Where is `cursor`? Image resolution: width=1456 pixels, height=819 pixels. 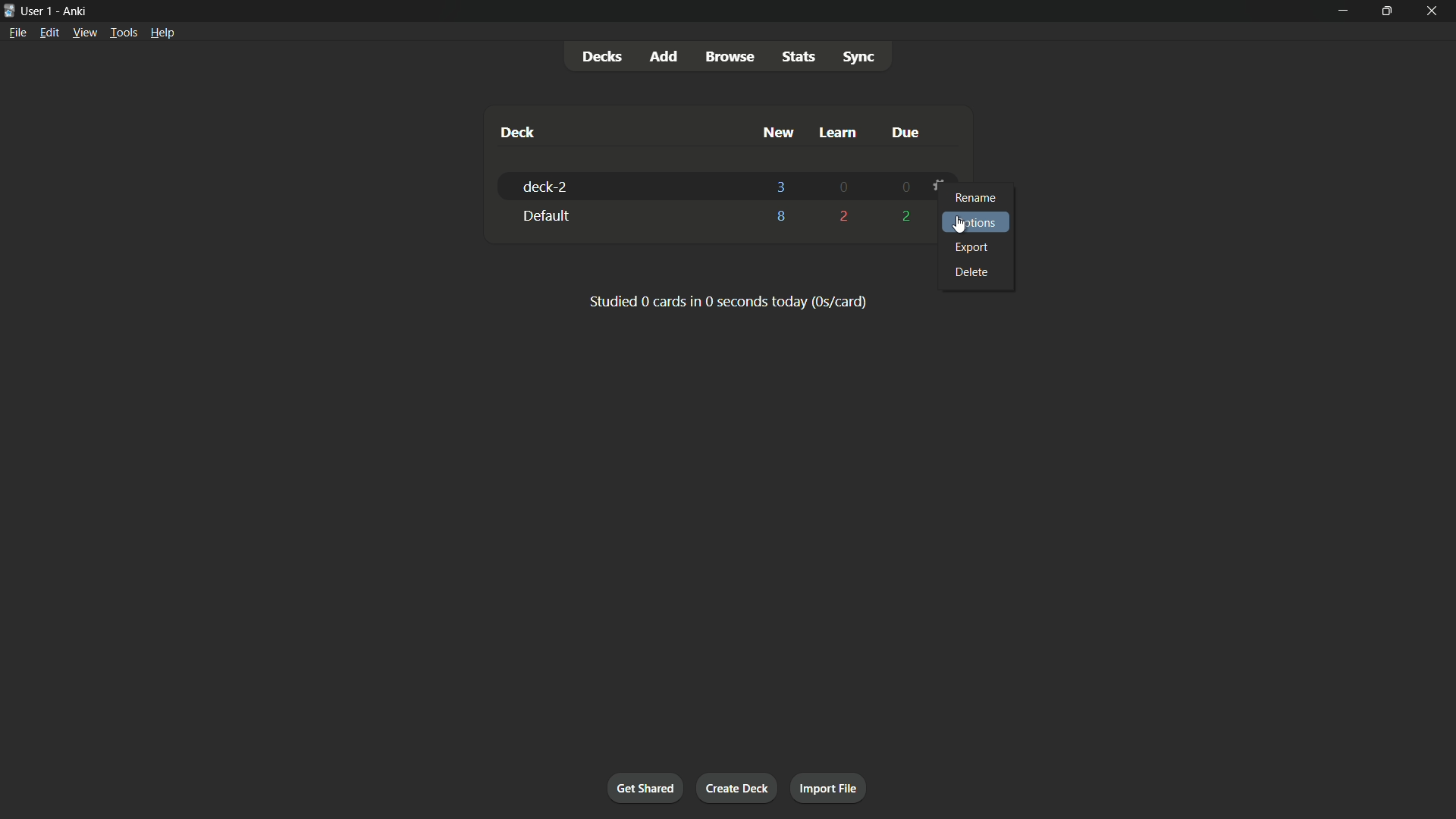 cursor is located at coordinates (961, 224).